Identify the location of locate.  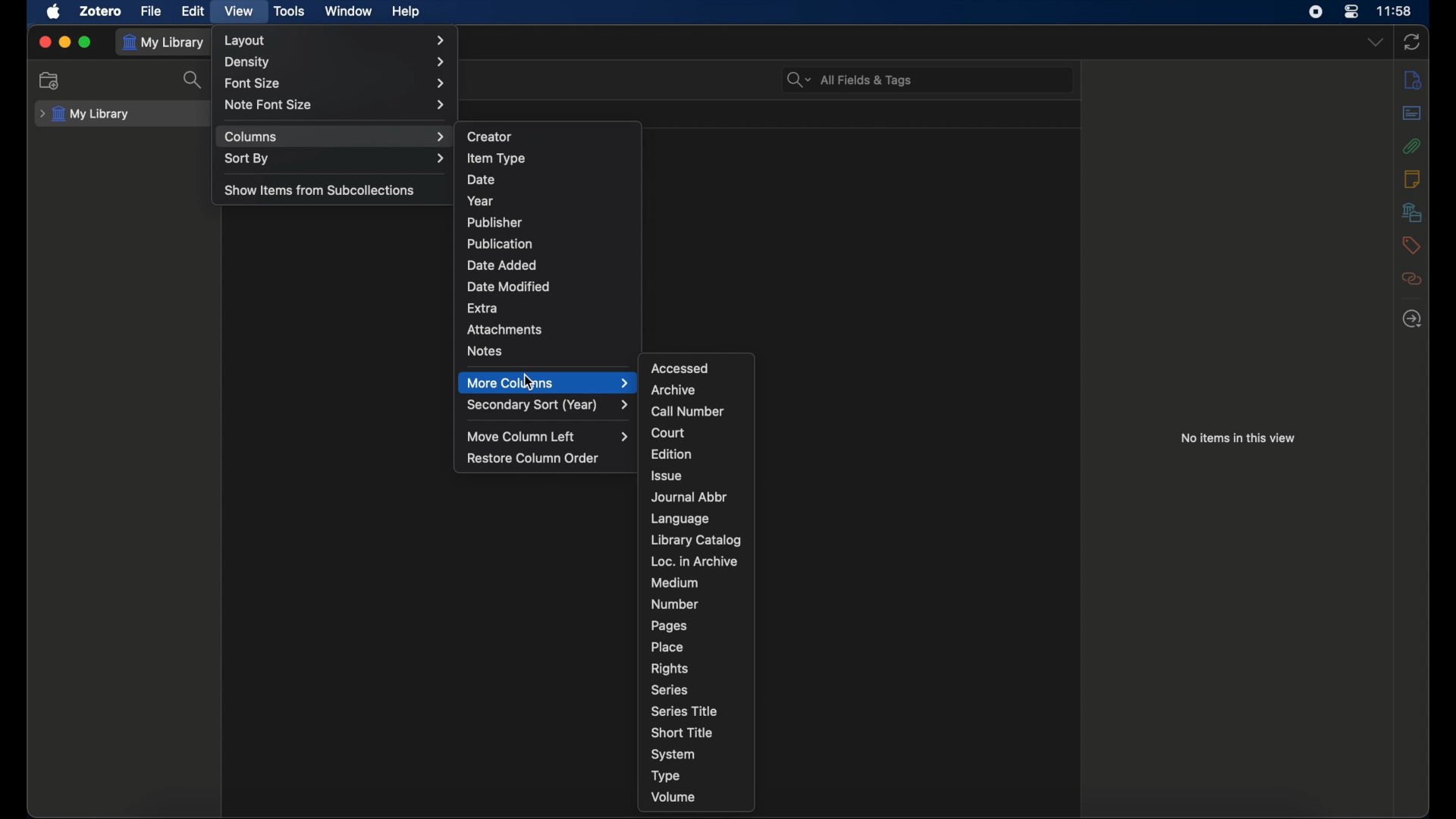
(1411, 319).